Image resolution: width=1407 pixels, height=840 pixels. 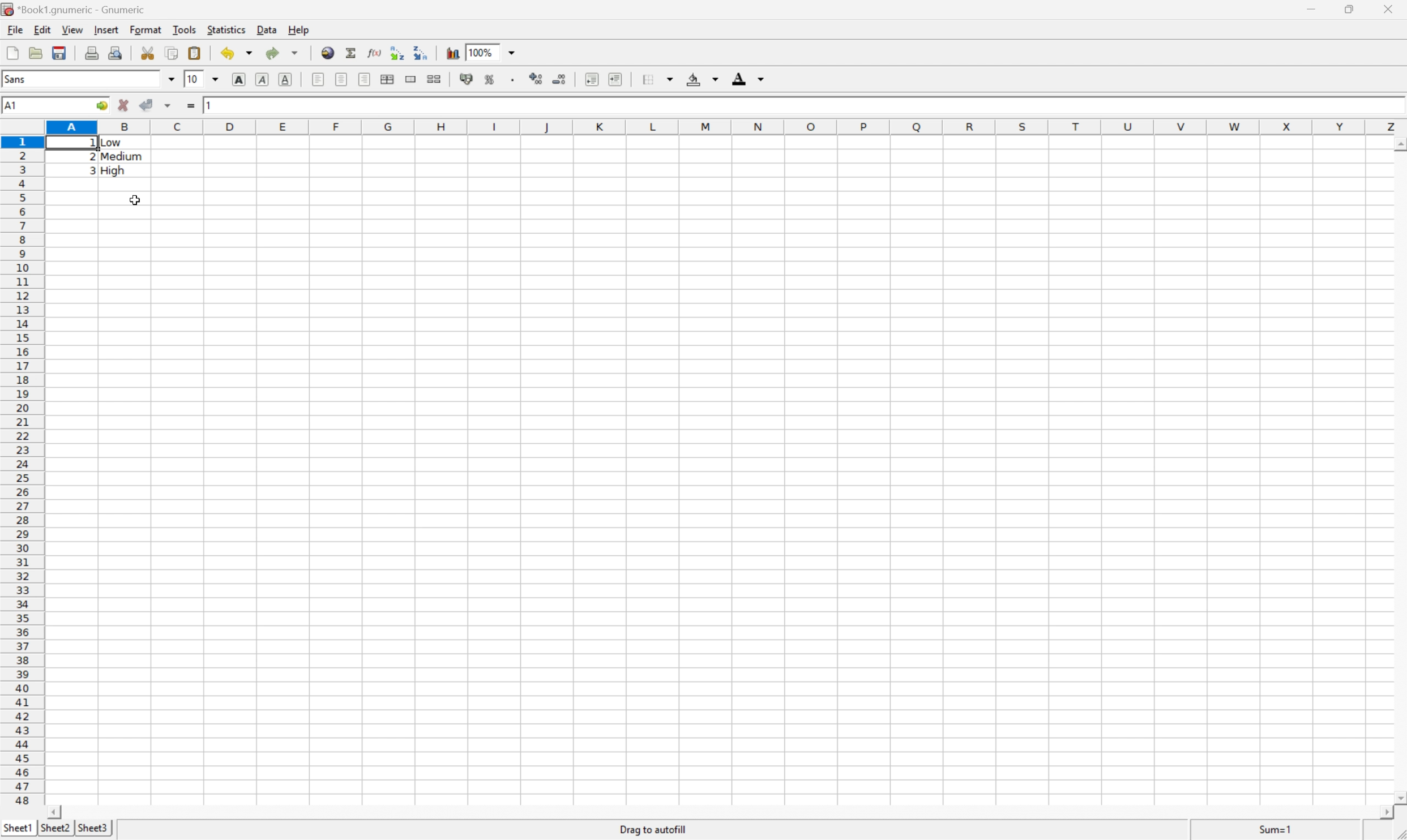 What do you see at coordinates (92, 170) in the screenshot?
I see `3` at bounding box center [92, 170].